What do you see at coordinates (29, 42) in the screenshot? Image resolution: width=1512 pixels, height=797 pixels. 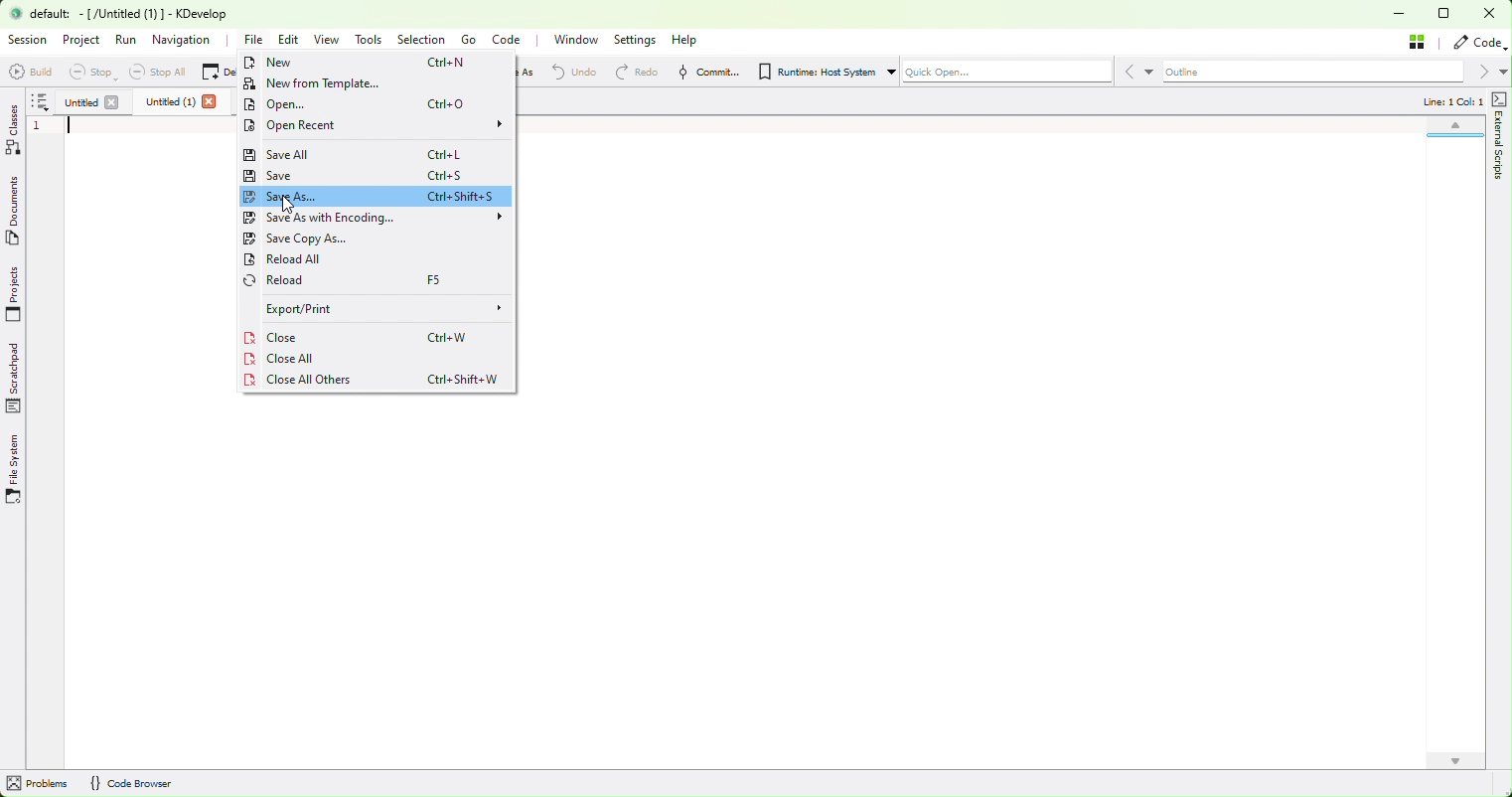 I see `Session` at bounding box center [29, 42].